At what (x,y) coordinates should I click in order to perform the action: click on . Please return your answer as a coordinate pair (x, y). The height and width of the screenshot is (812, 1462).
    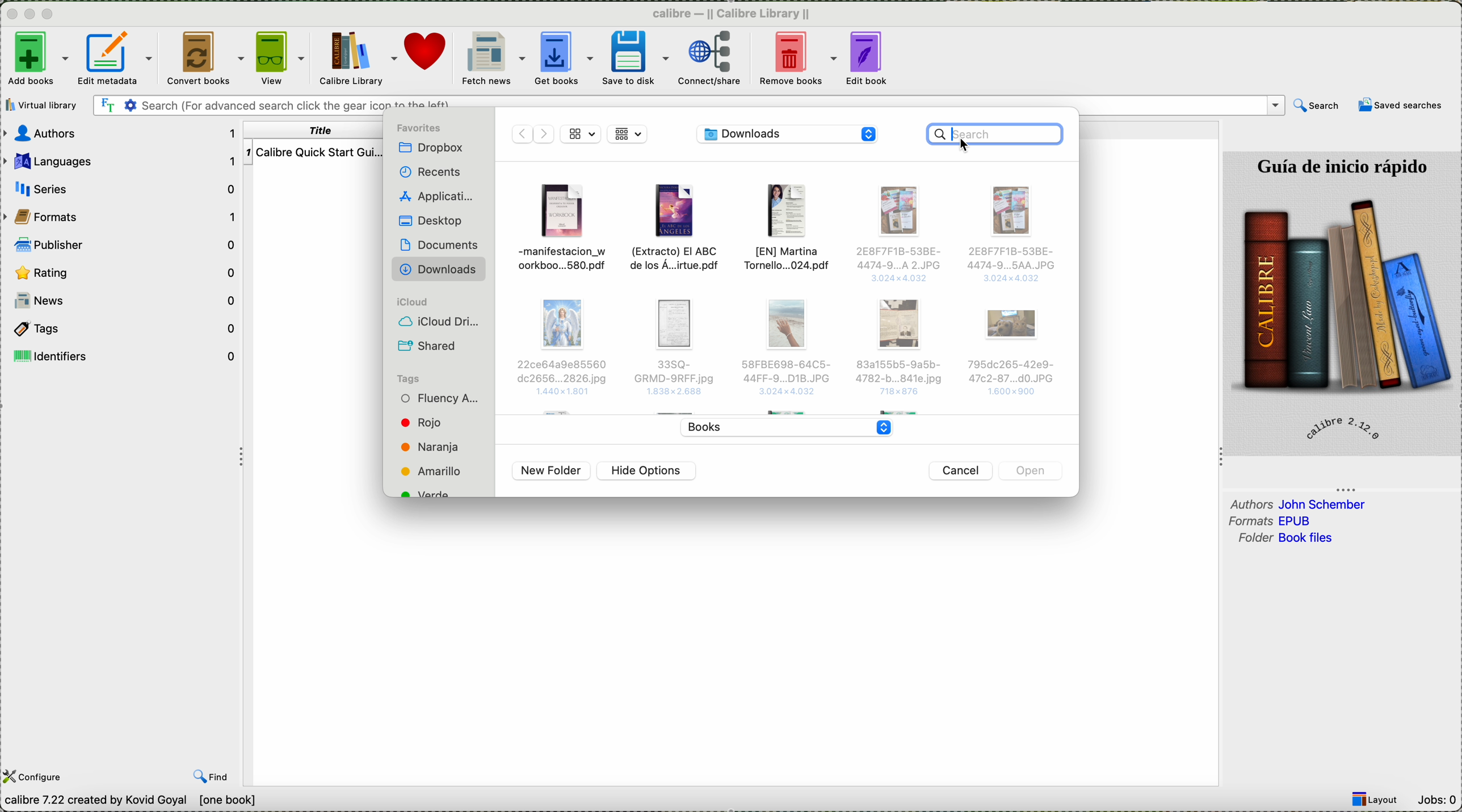
    Looking at the image, I should click on (676, 347).